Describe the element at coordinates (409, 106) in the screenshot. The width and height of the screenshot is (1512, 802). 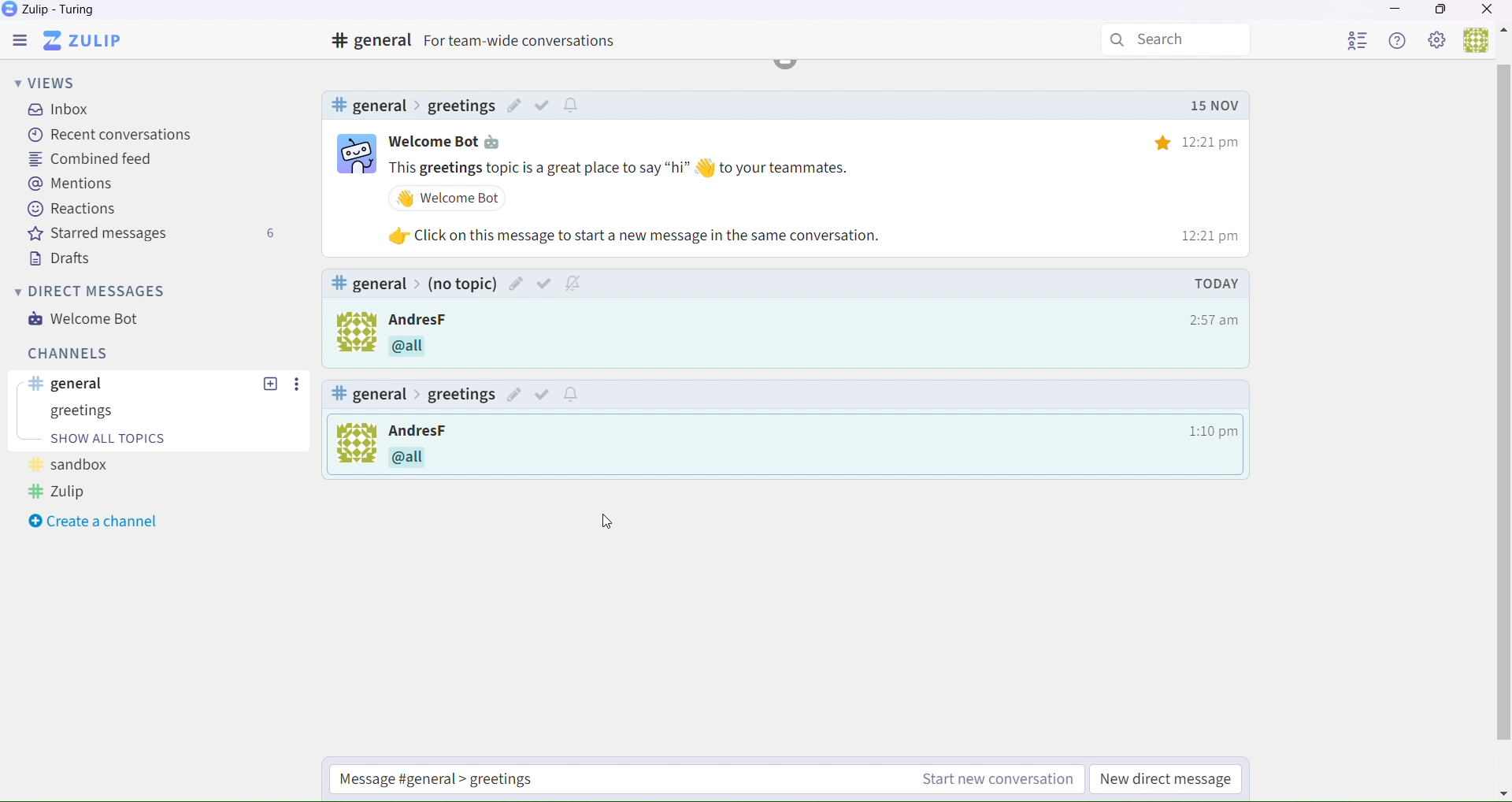
I see `#sandbox>Experiment` at that location.